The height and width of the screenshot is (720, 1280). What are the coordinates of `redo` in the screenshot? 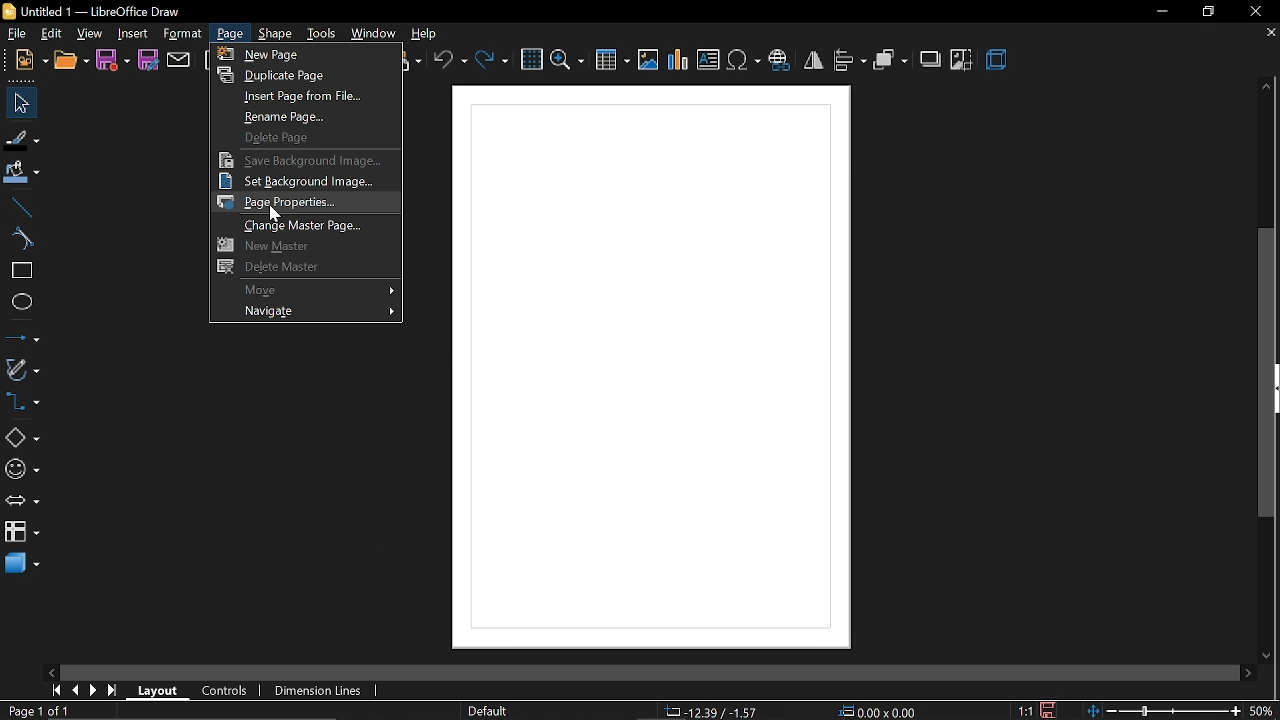 It's located at (494, 62).